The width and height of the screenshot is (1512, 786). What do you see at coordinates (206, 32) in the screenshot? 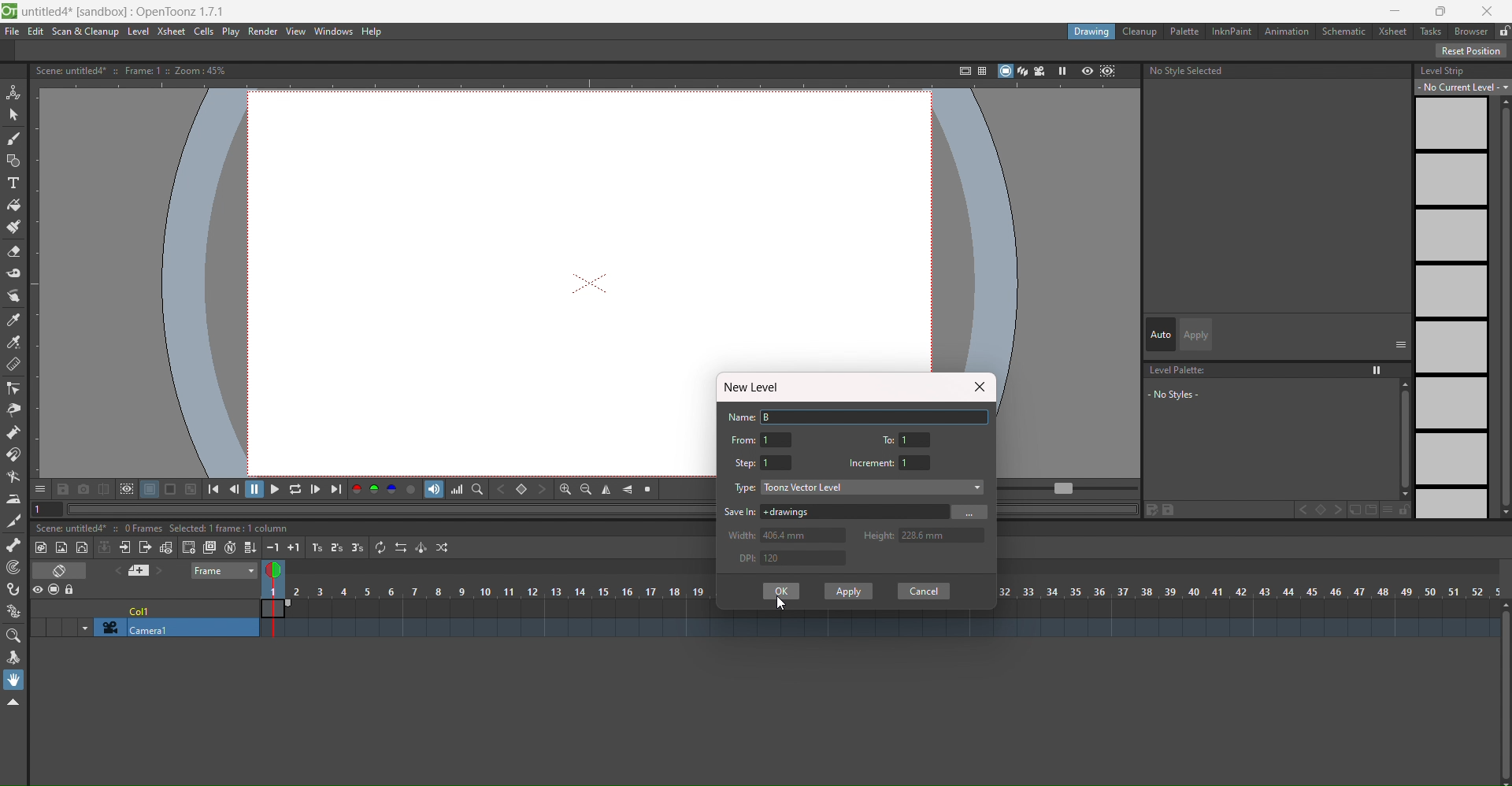
I see `cells` at bounding box center [206, 32].